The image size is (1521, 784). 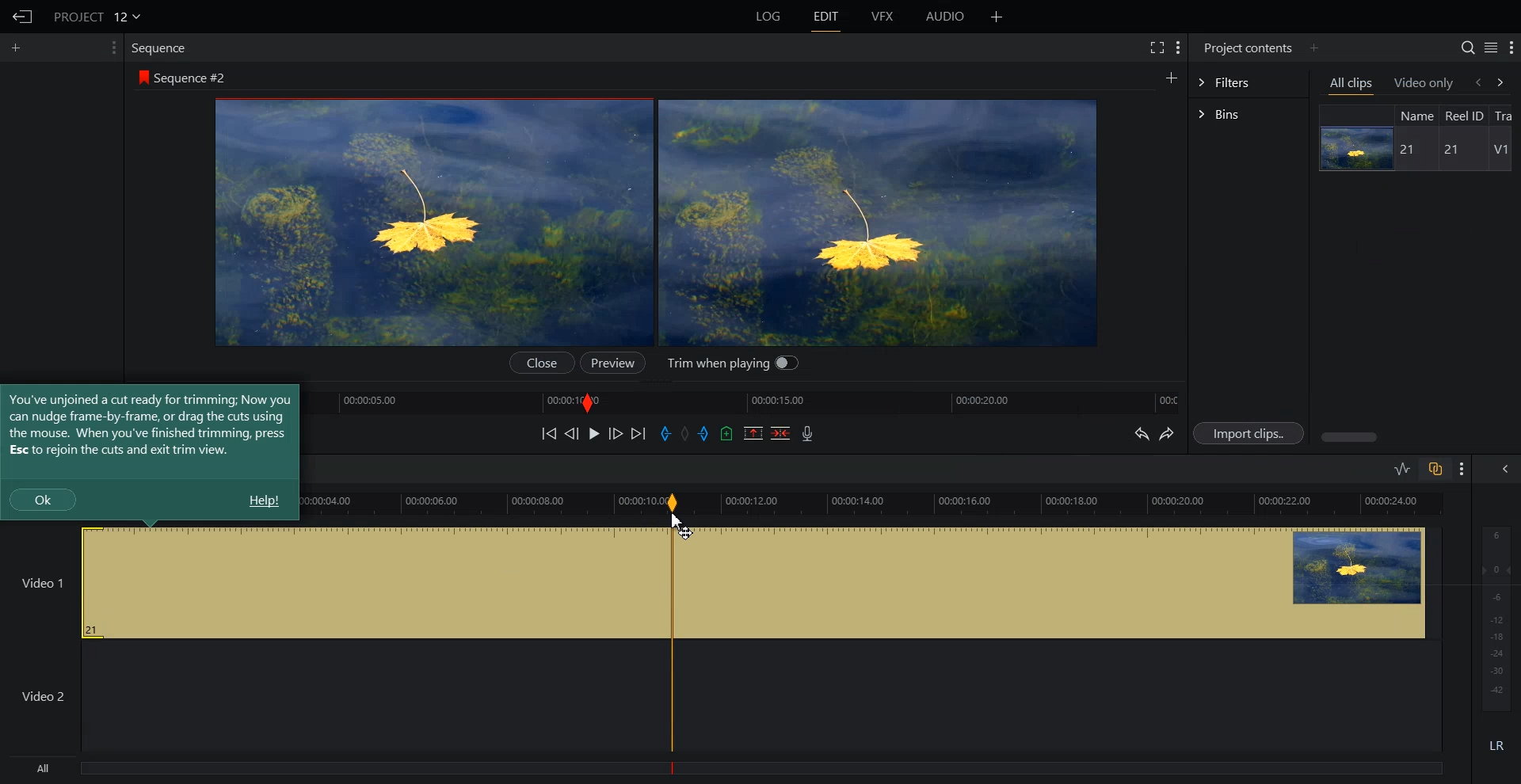 I want to click on Sequence, so click(x=162, y=49).